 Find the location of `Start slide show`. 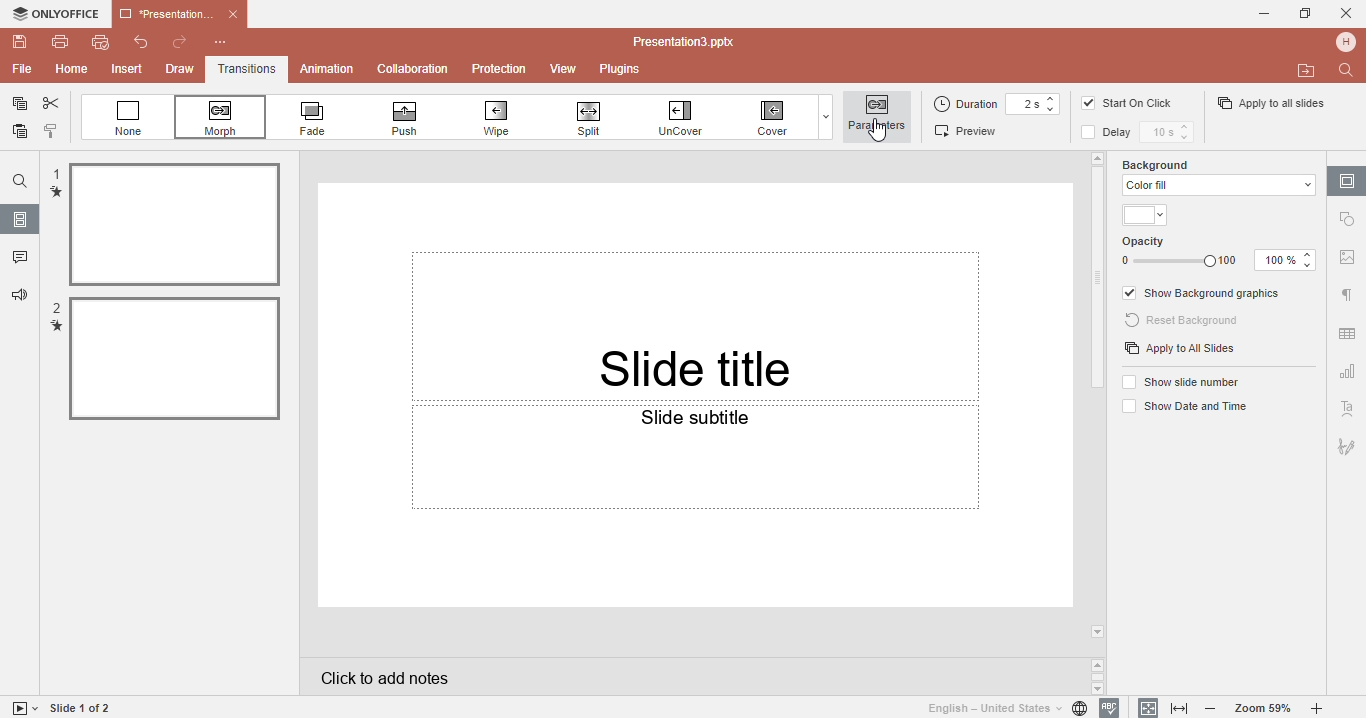

Start slide show is located at coordinates (21, 708).